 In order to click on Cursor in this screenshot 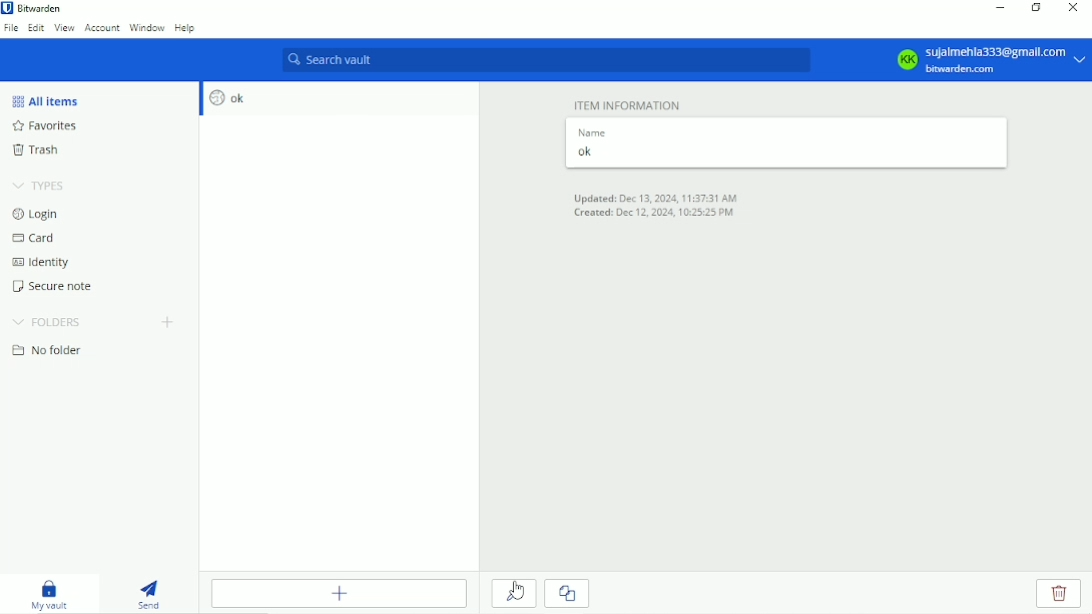, I will do `click(517, 592)`.